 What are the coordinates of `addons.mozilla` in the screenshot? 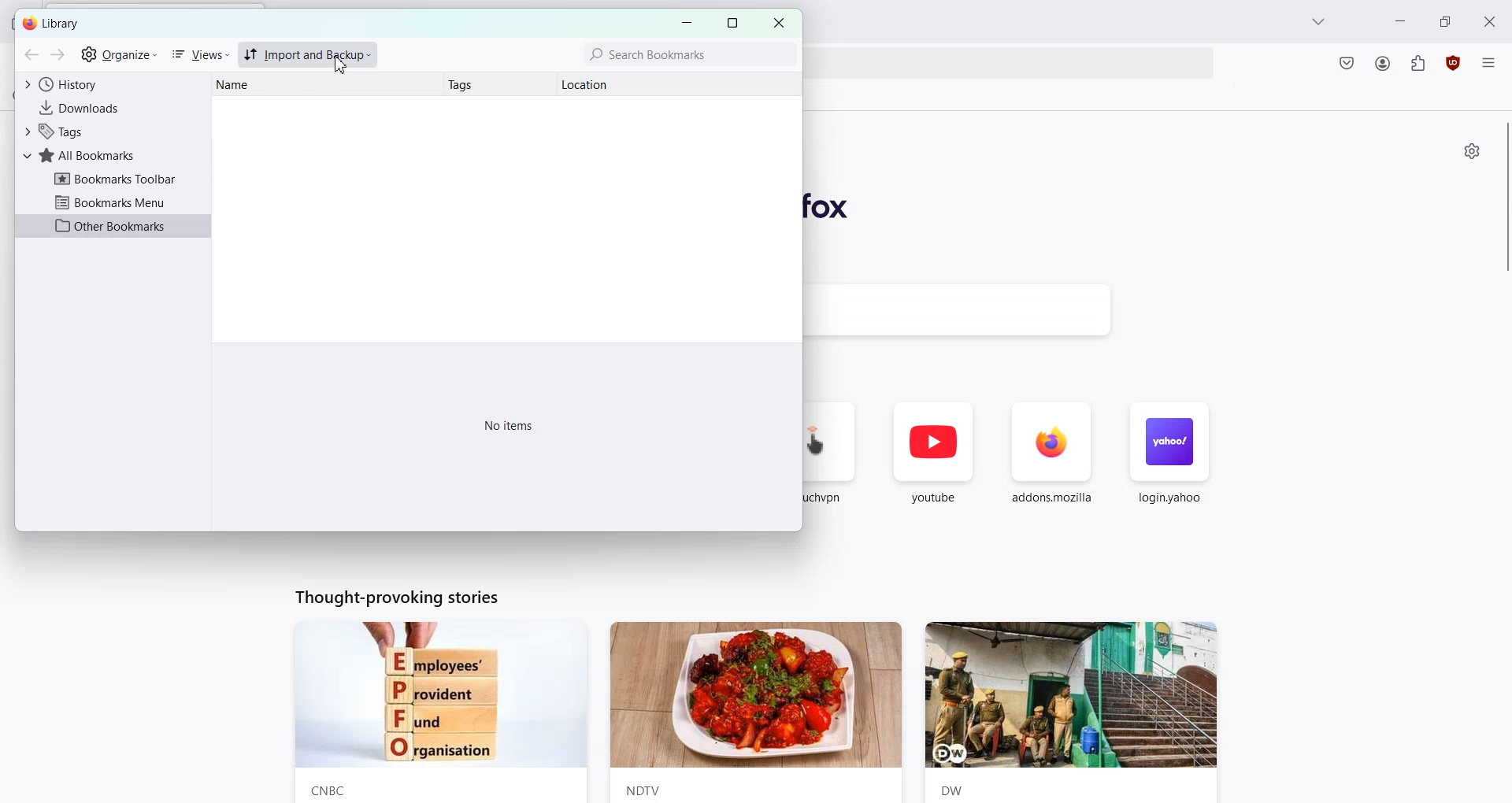 It's located at (1052, 463).